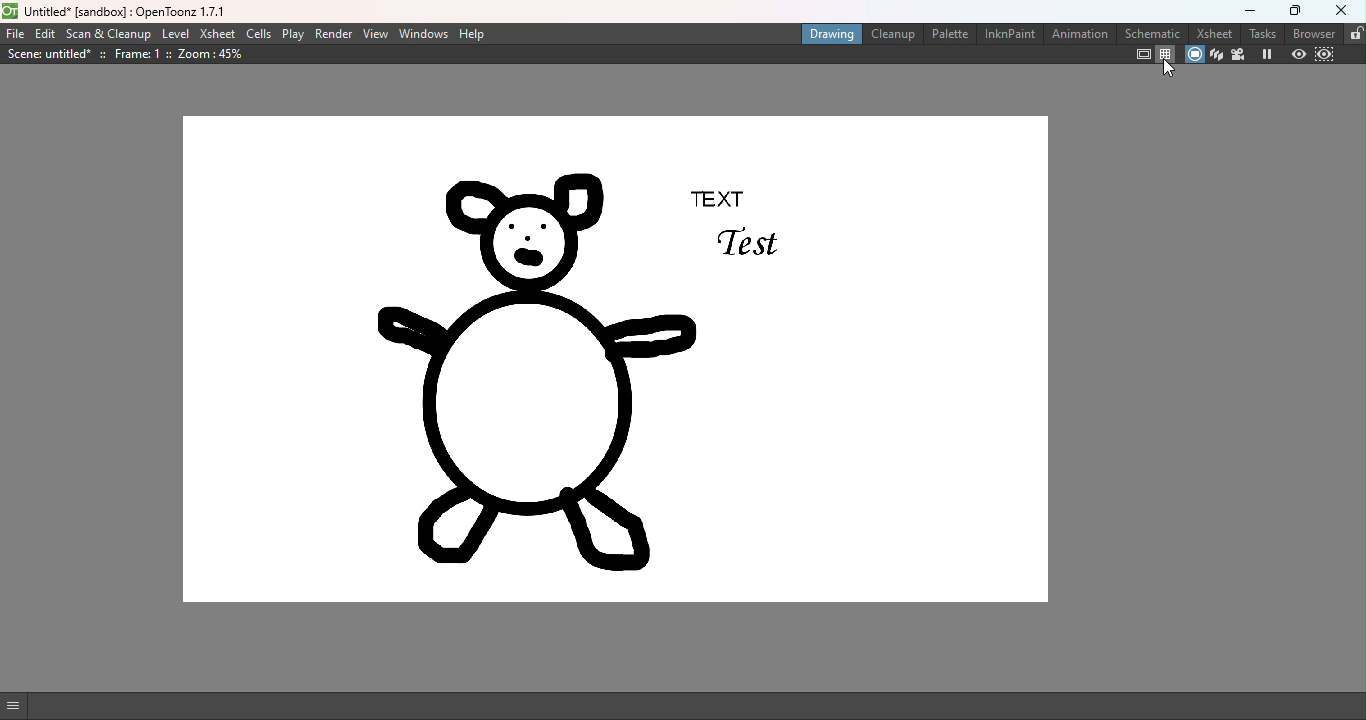 This screenshot has width=1366, height=720. Describe the element at coordinates (1353, 32) in the screenshot. I see `Lock rooms tab` at that location.